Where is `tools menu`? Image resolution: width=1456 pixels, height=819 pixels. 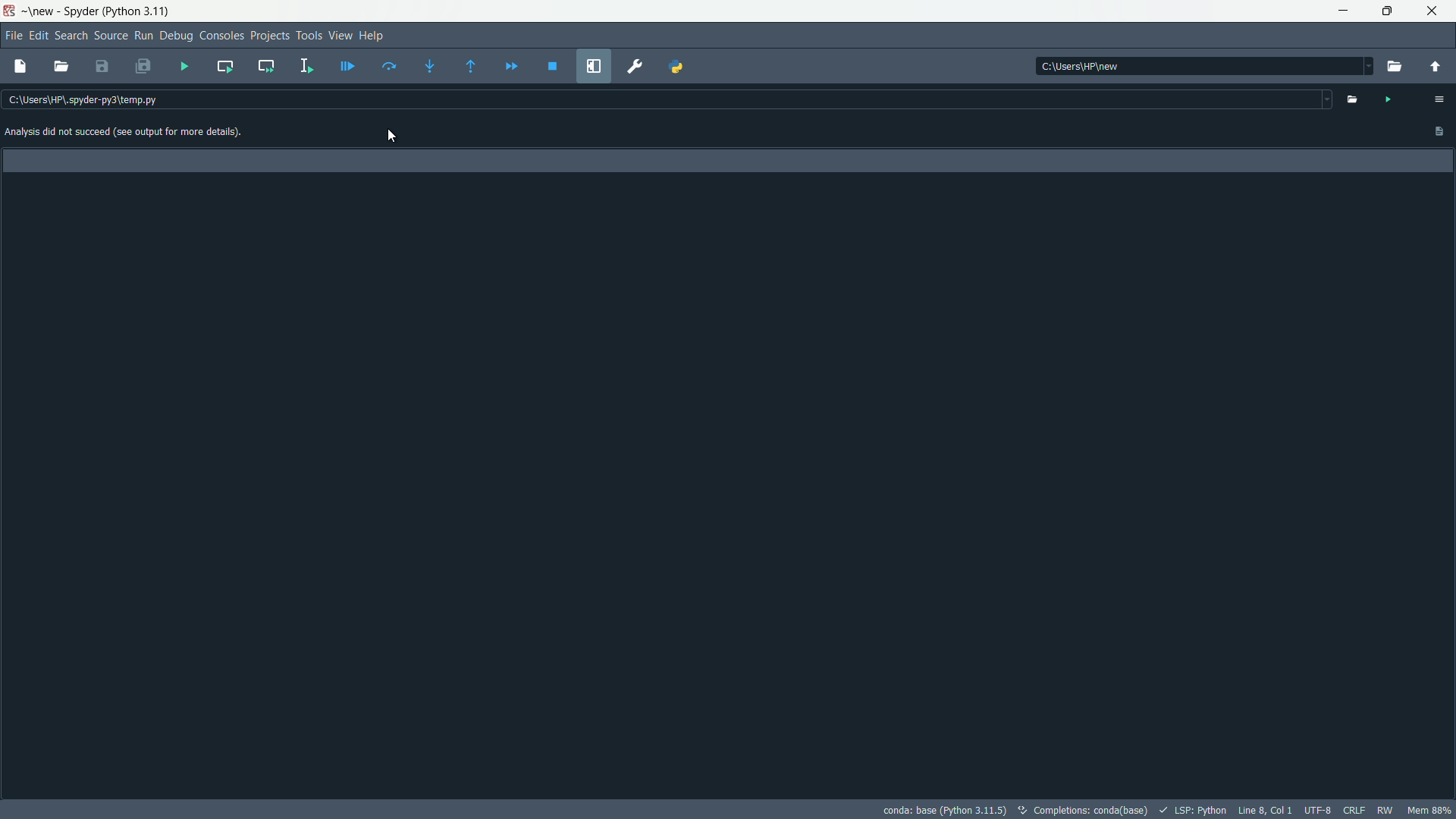 tools menu is located at coordinates (309, 37).